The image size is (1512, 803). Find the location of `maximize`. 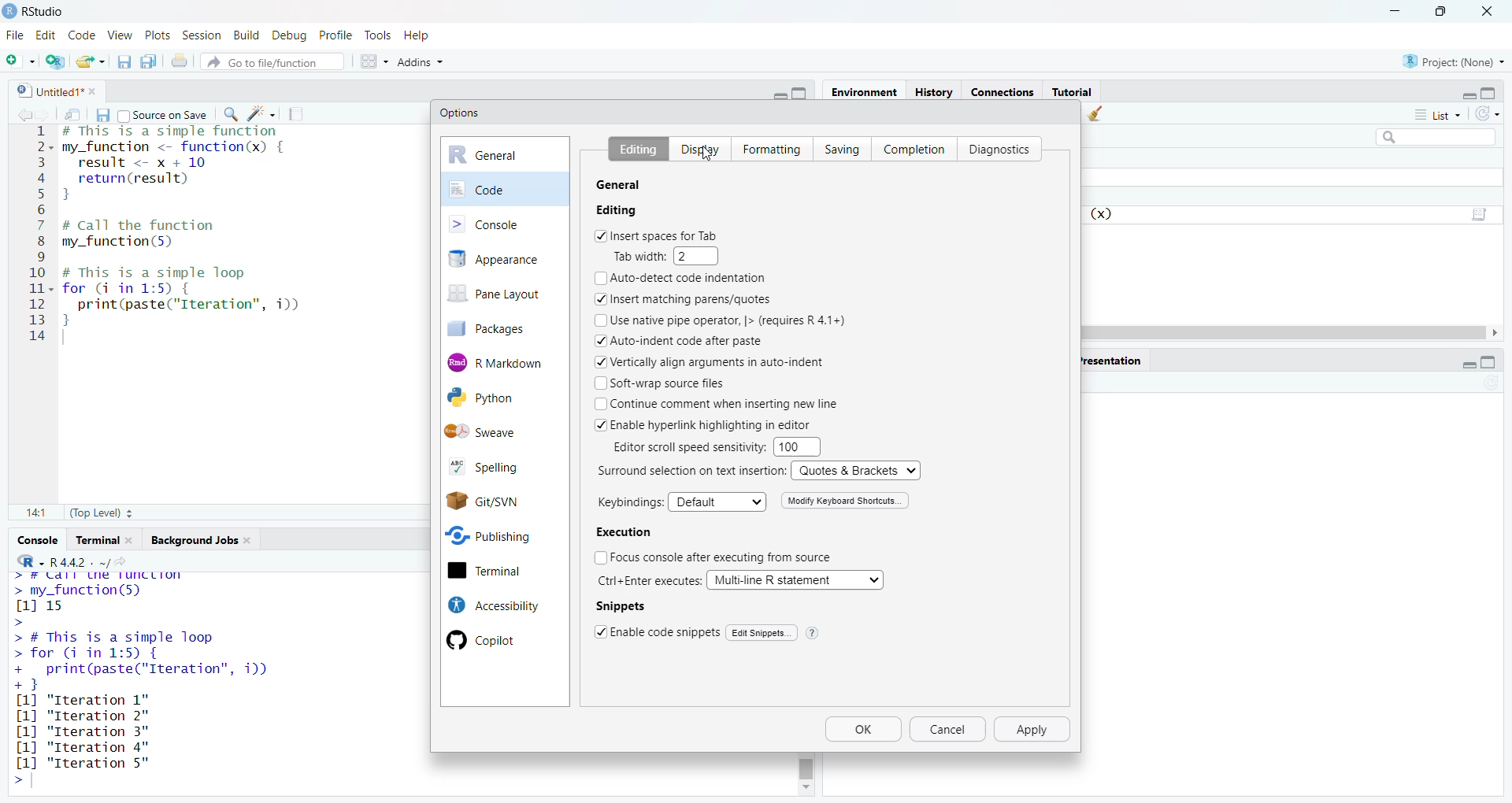

maximize is located at coordinates (805, 93).